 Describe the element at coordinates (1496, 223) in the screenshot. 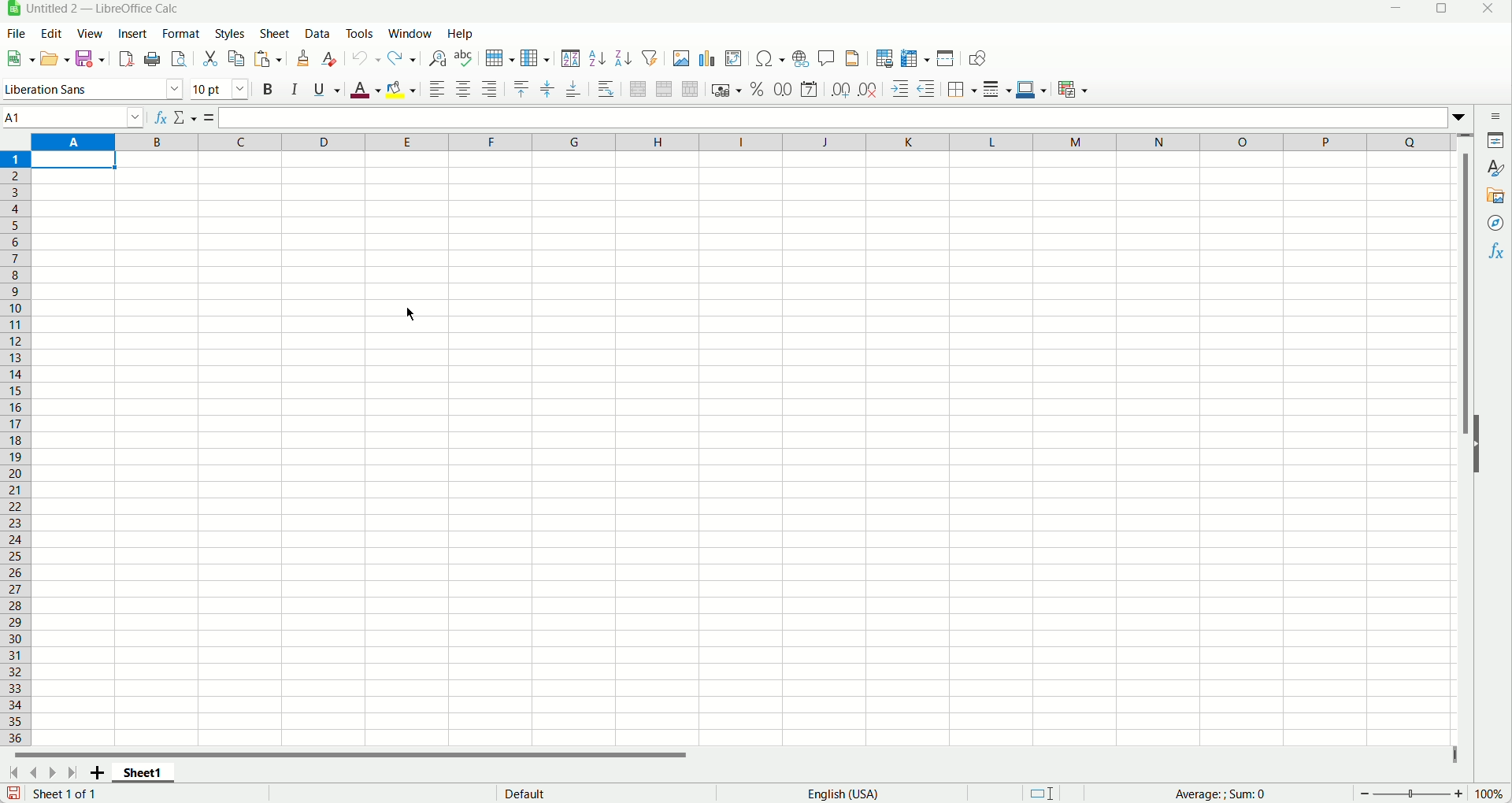

I see `Navigator` at that location.